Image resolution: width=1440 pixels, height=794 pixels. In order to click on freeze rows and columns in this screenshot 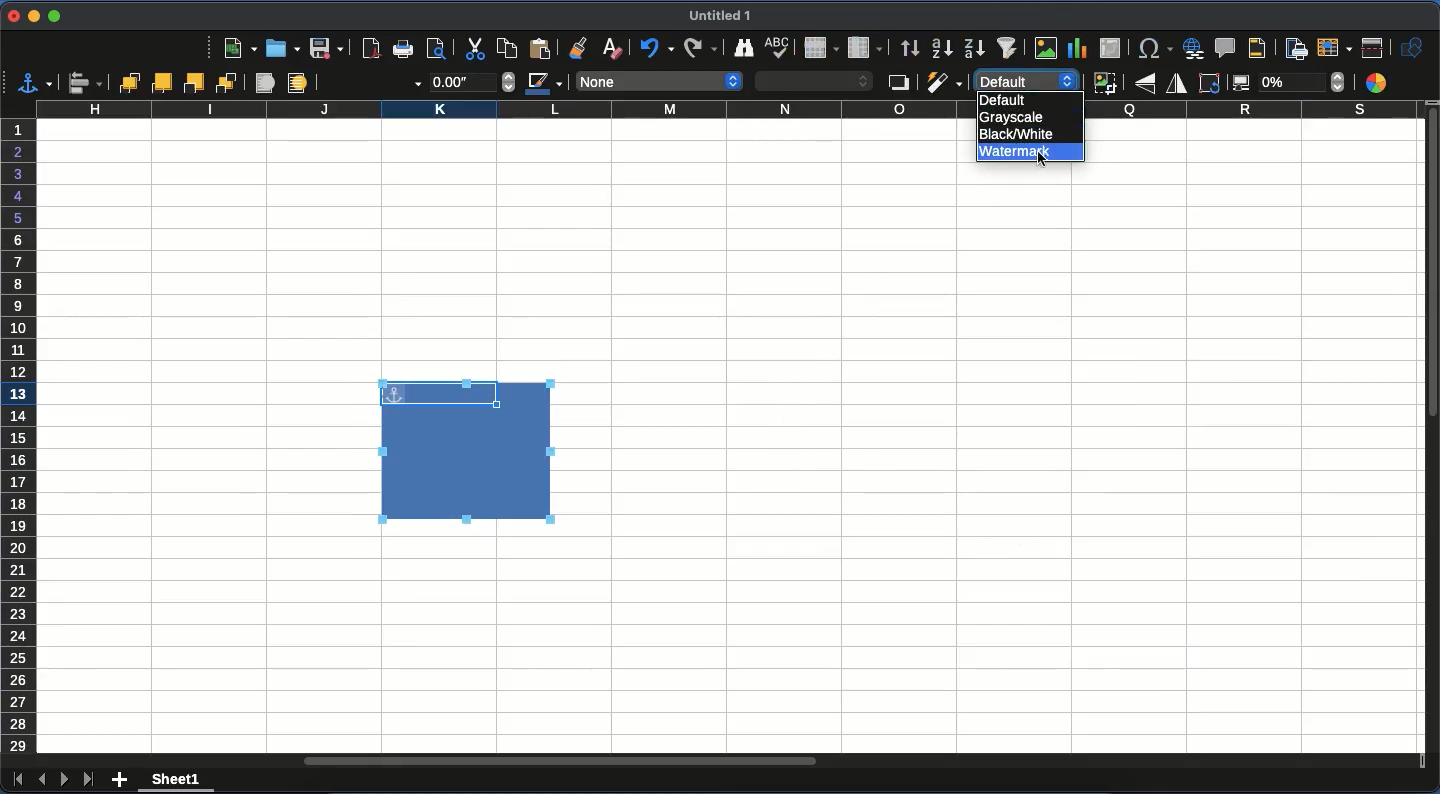, I will do `click(1334, 47)`.